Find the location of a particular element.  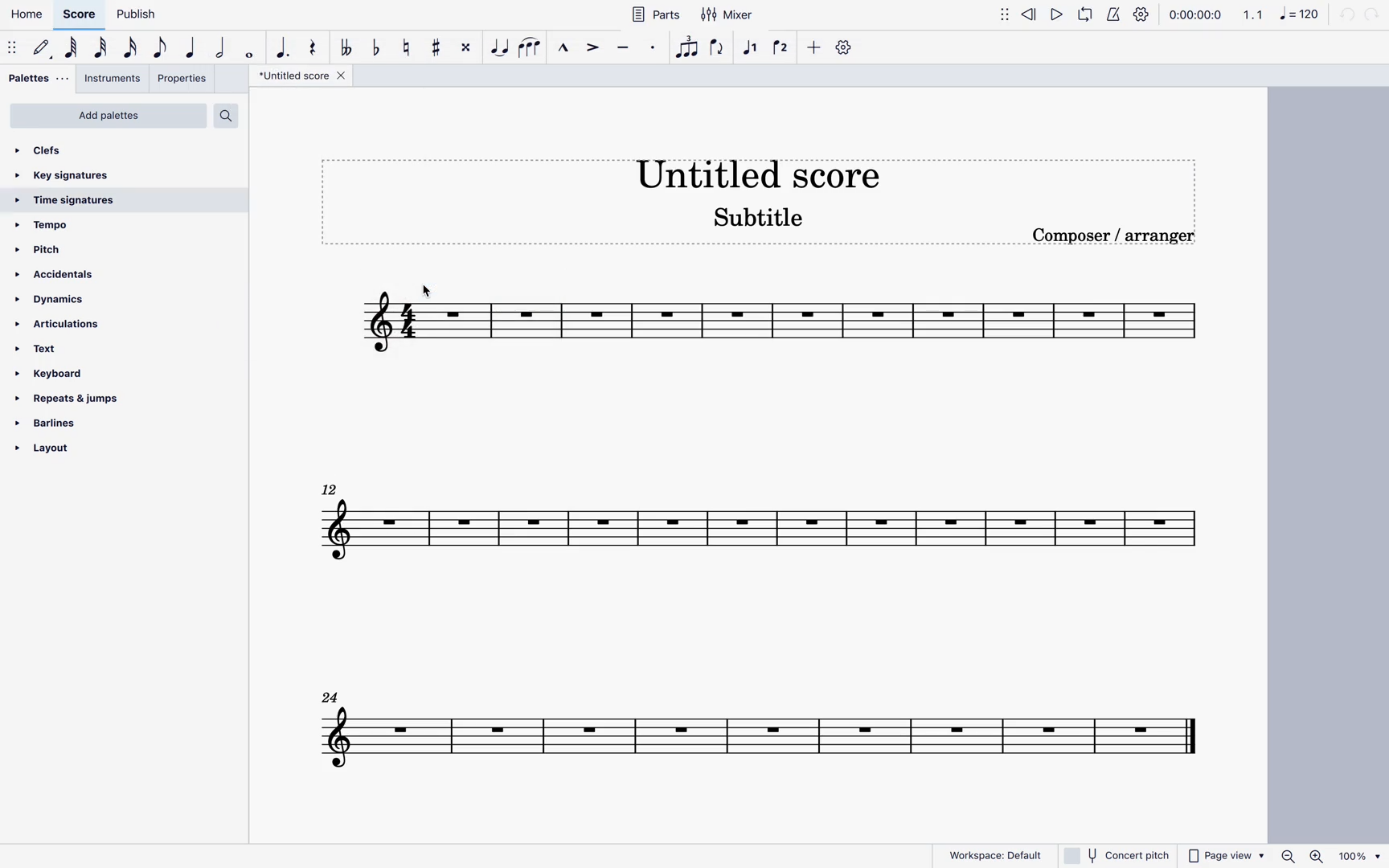

home is located at coordinates (29, 15).